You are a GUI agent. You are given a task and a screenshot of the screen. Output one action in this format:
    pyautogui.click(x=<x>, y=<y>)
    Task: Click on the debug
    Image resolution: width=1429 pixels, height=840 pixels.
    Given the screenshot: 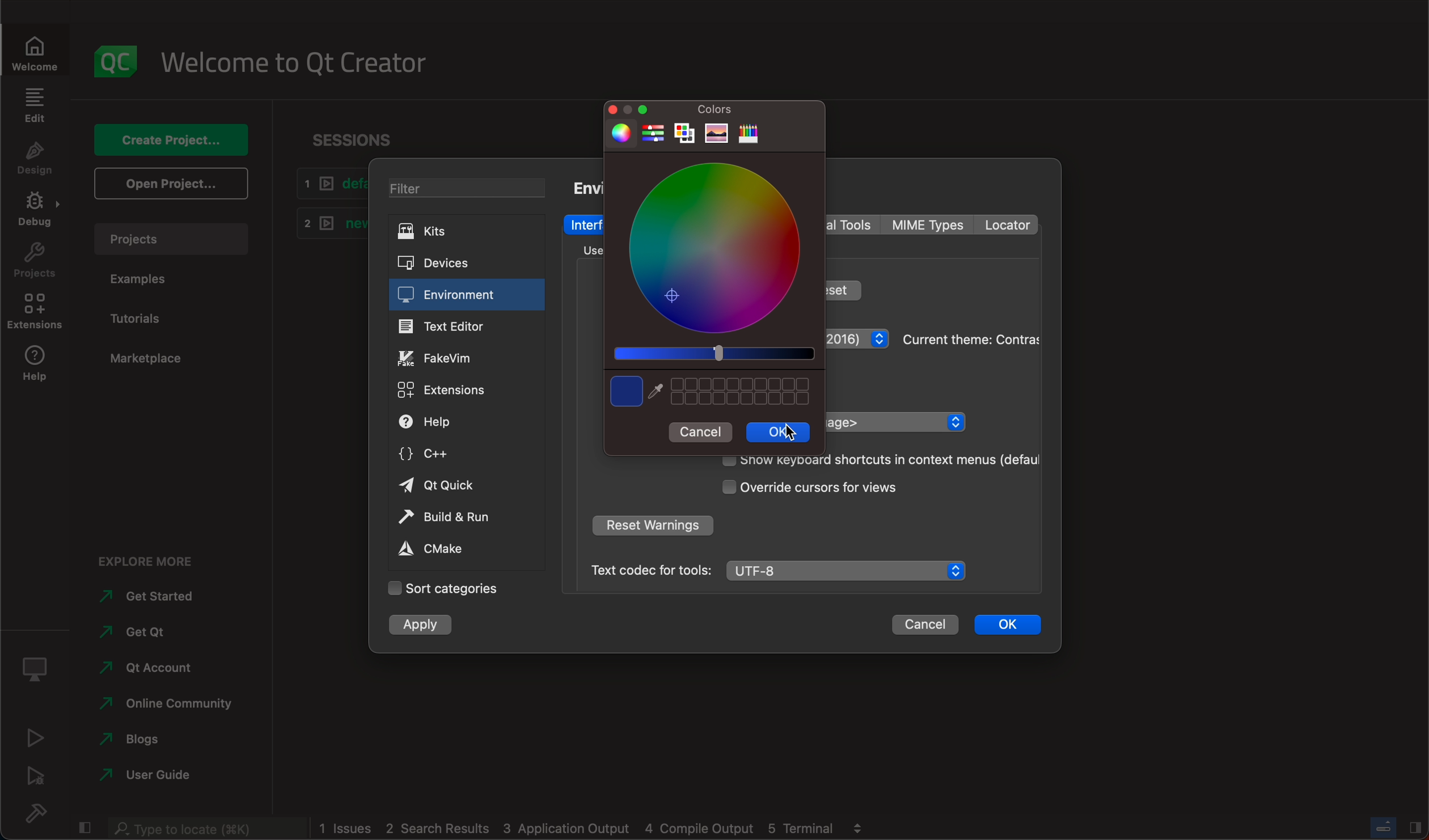 What is the action you would take?
    pyautogui.click(x=39, y=213)
    